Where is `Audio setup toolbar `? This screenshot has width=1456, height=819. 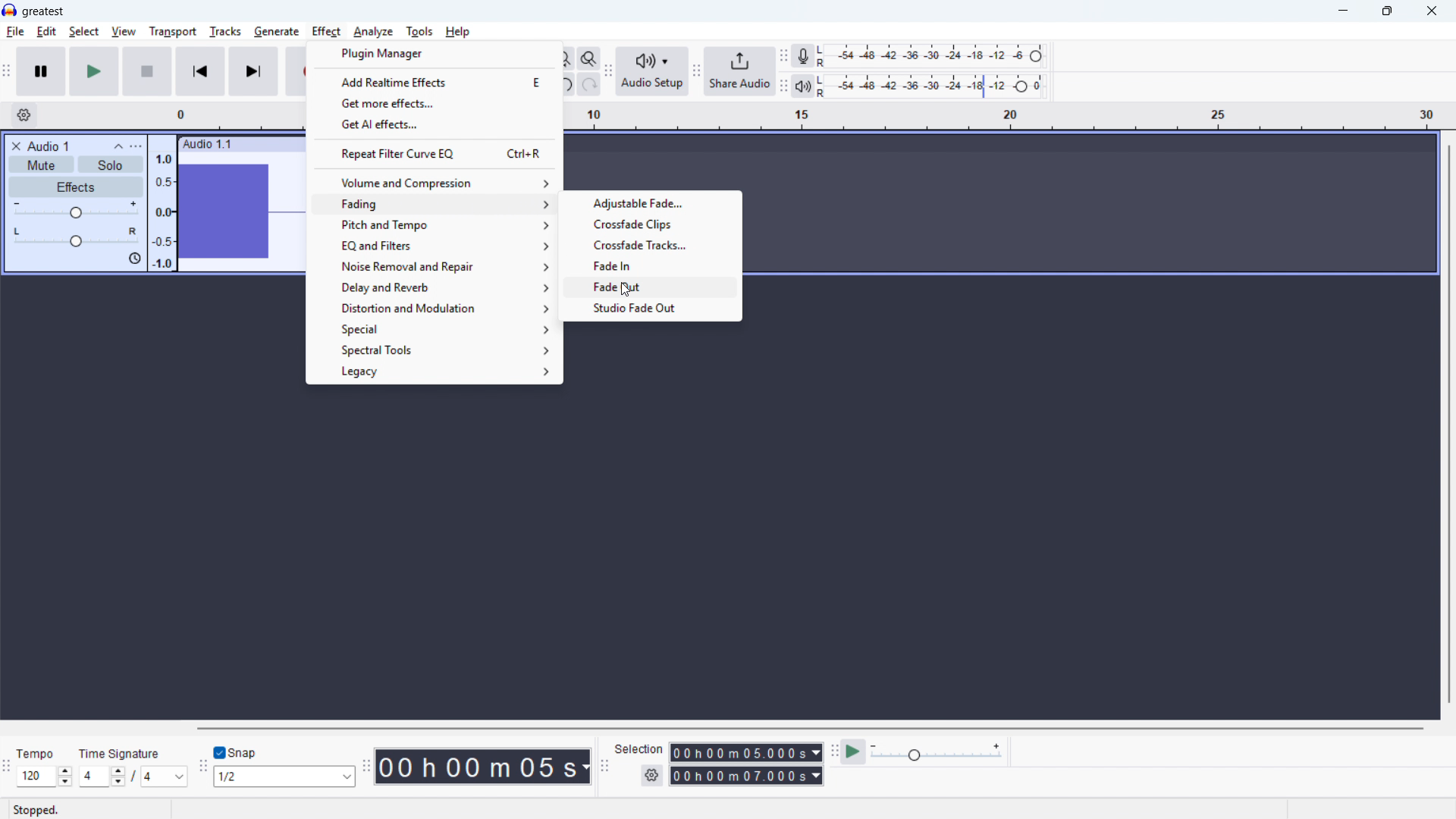 Audio setup toolbar  is located at coordinates (609, 73).